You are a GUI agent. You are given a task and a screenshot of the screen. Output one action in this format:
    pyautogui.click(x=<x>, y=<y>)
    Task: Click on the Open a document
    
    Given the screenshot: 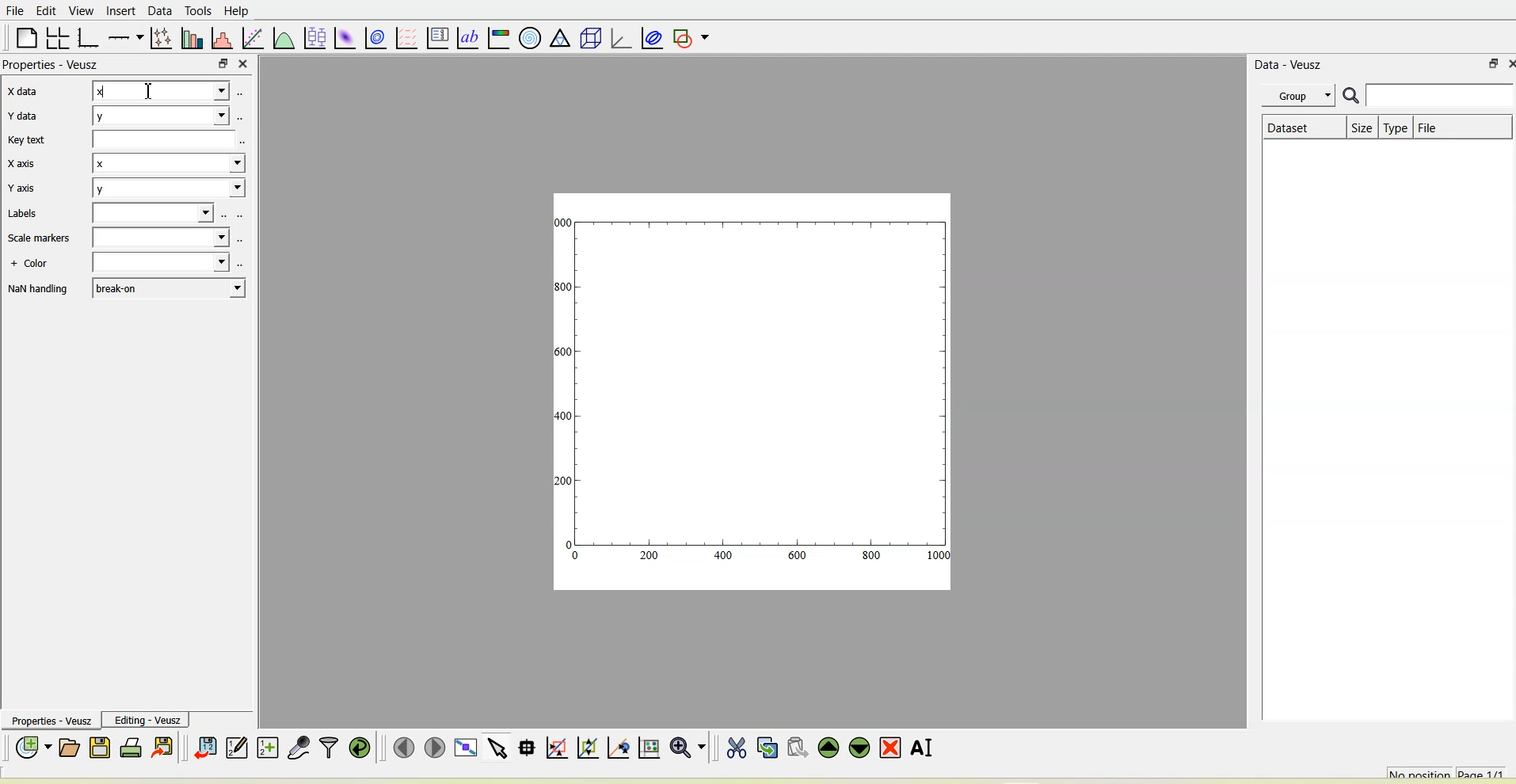 What is the action you would take?
    pyautogui.click(x=70, y=748)
    